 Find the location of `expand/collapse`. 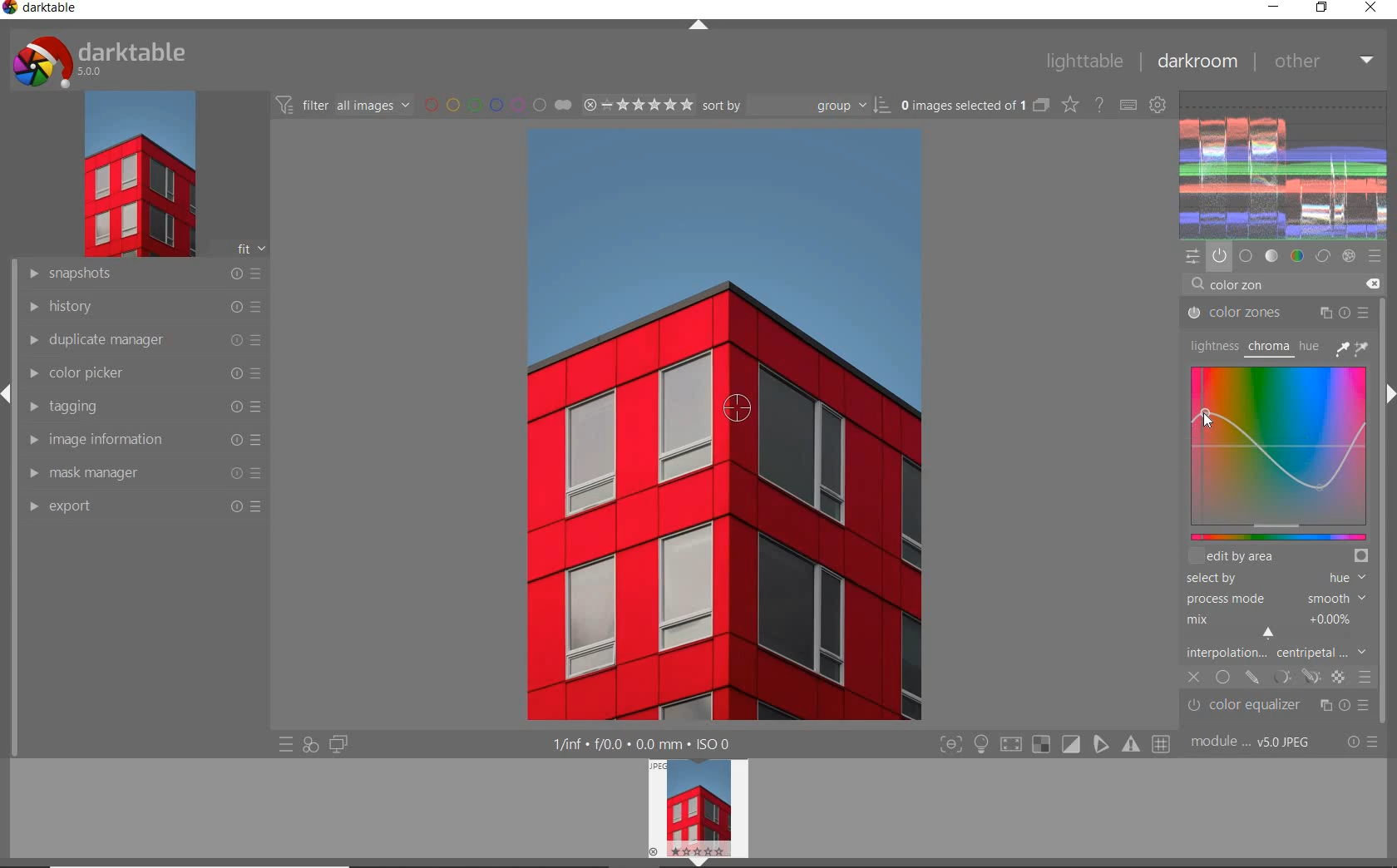

expand/collapse is located at coordinates (698, 861).